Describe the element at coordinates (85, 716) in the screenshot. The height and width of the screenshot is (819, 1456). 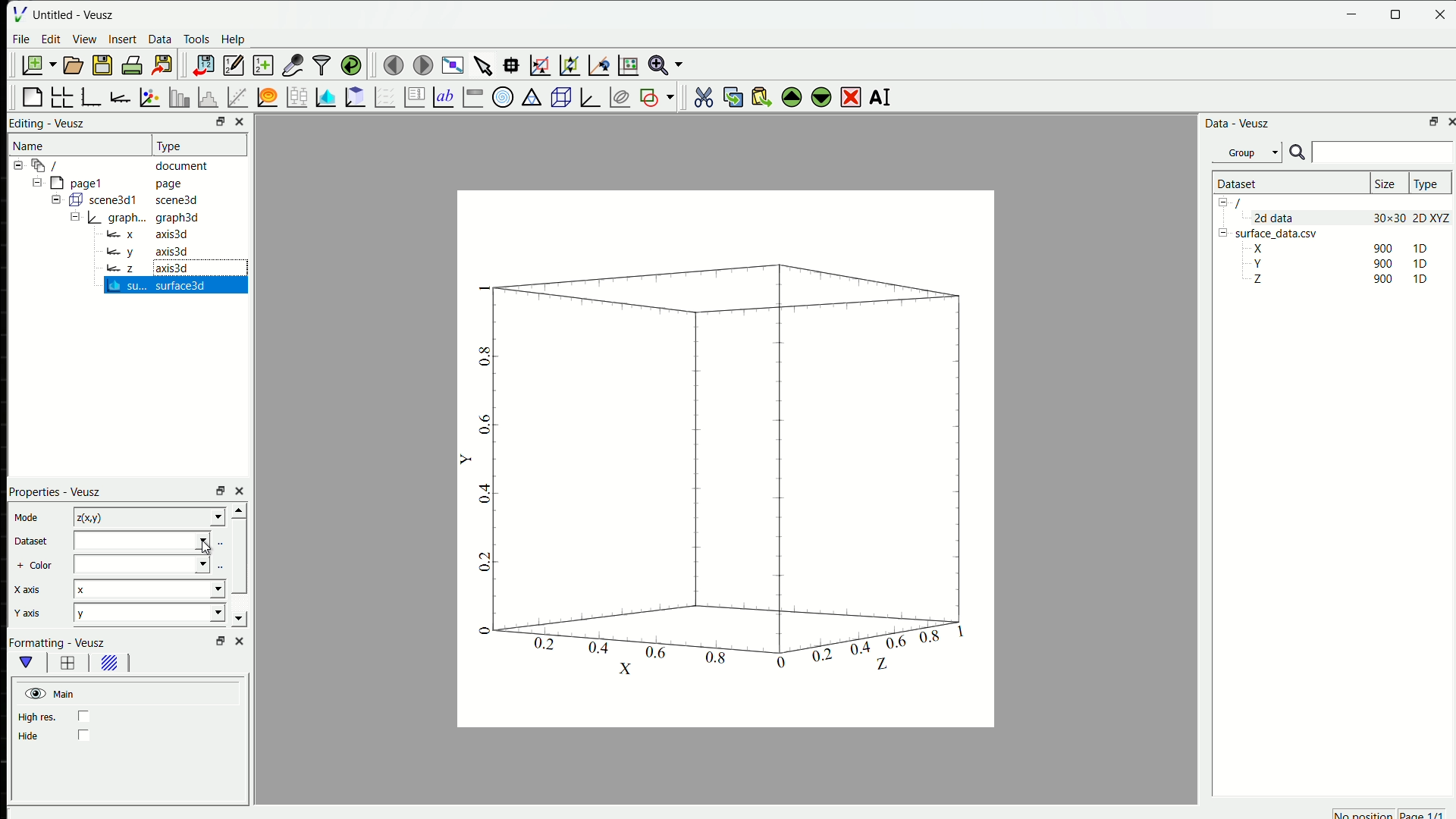
I see `checkbox` at that location.